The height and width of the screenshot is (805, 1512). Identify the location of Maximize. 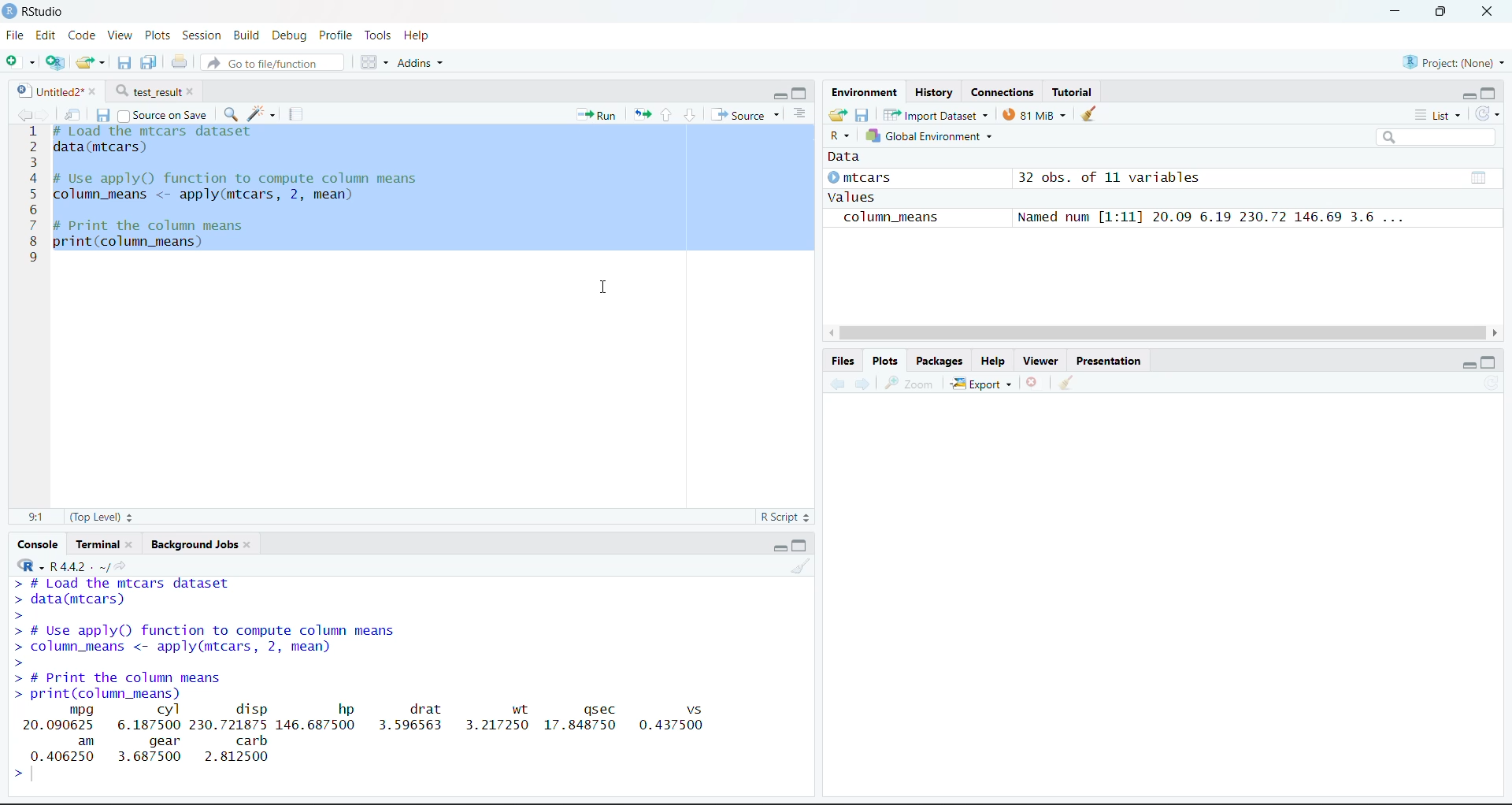
(1490, 91).